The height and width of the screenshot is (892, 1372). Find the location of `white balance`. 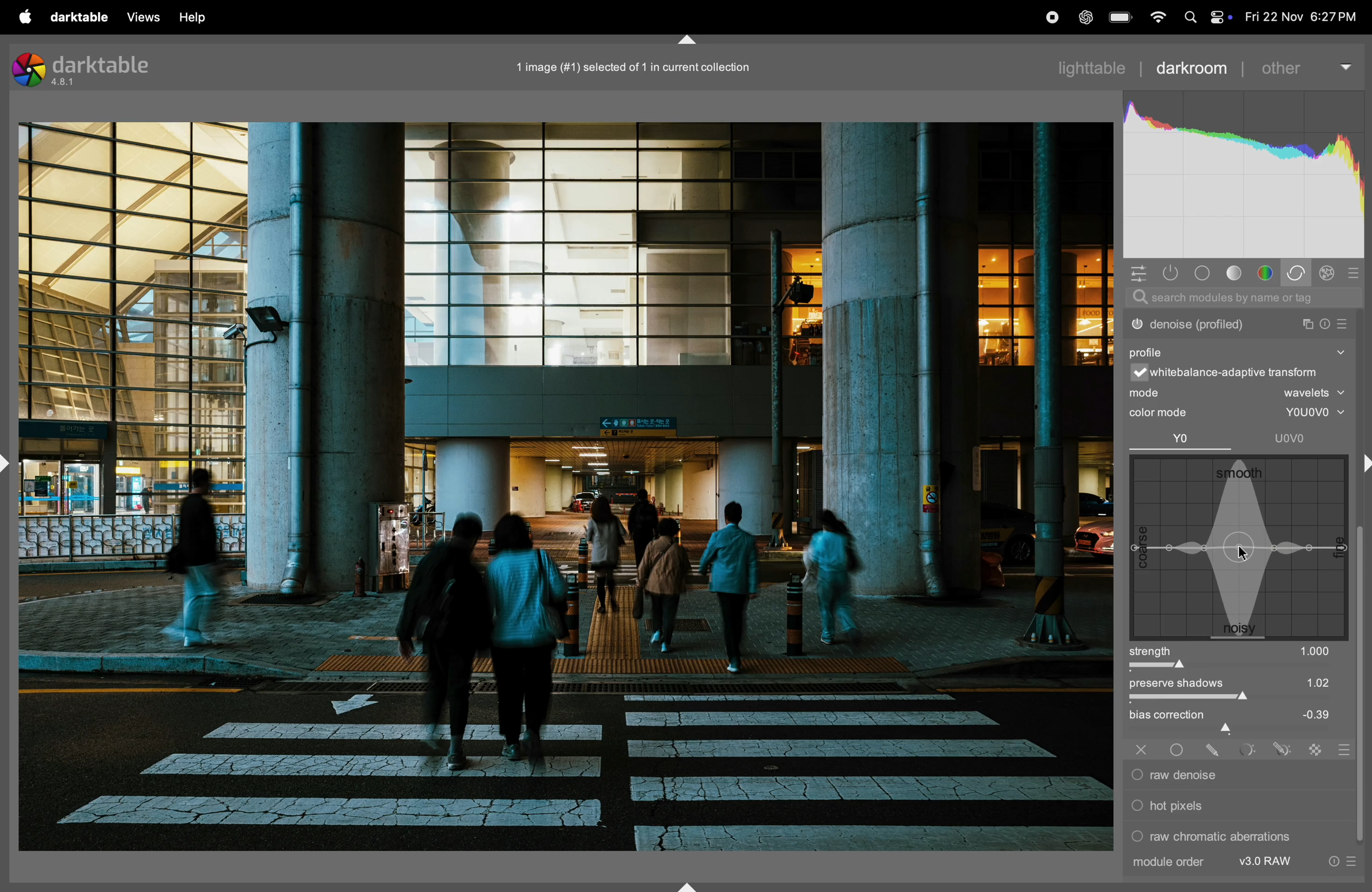

white balance is located at coordinates (1226, 373).